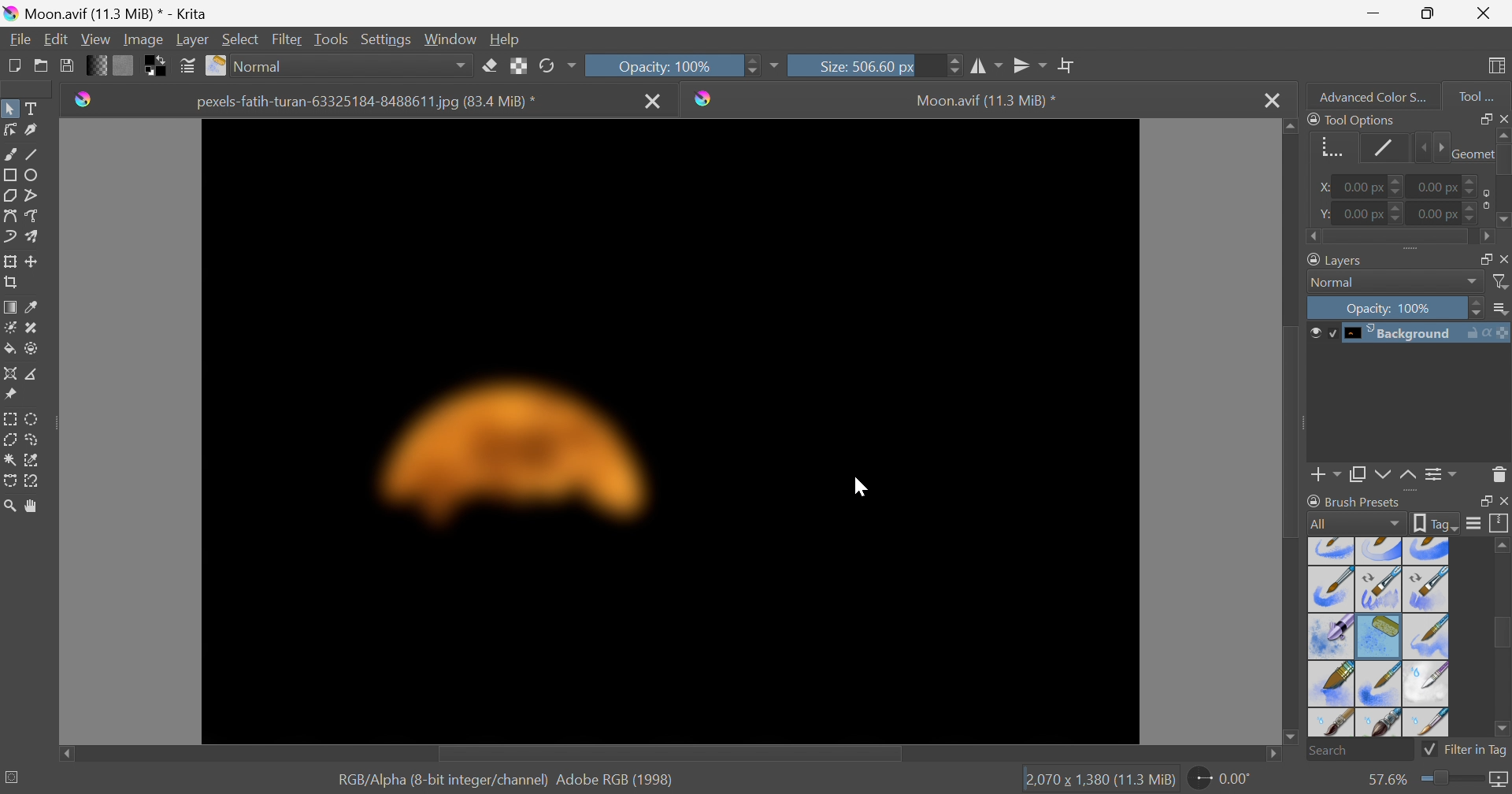 This screenshot has width=1512, height=794. Describe the element at coordinates (185, 64) in the screenshot. I see `Edit brush settings` at that location.